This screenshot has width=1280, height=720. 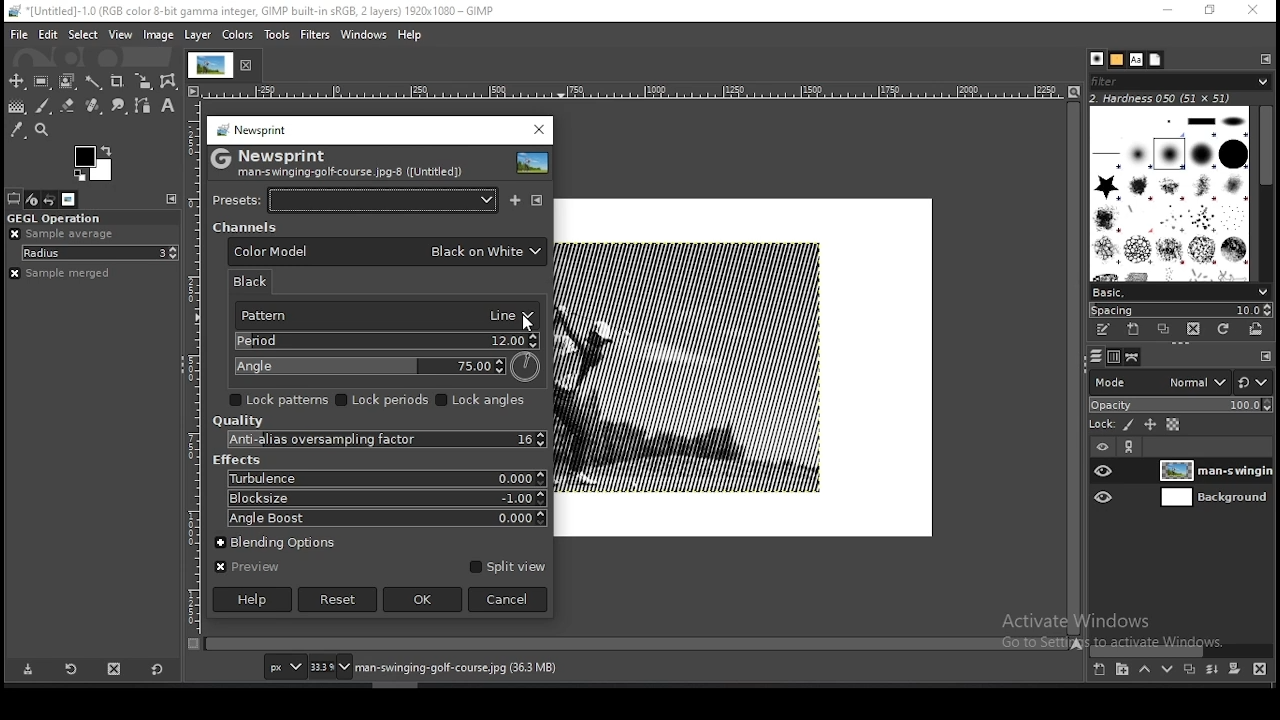 I want to click on layer, so click(x=1214, y=470).